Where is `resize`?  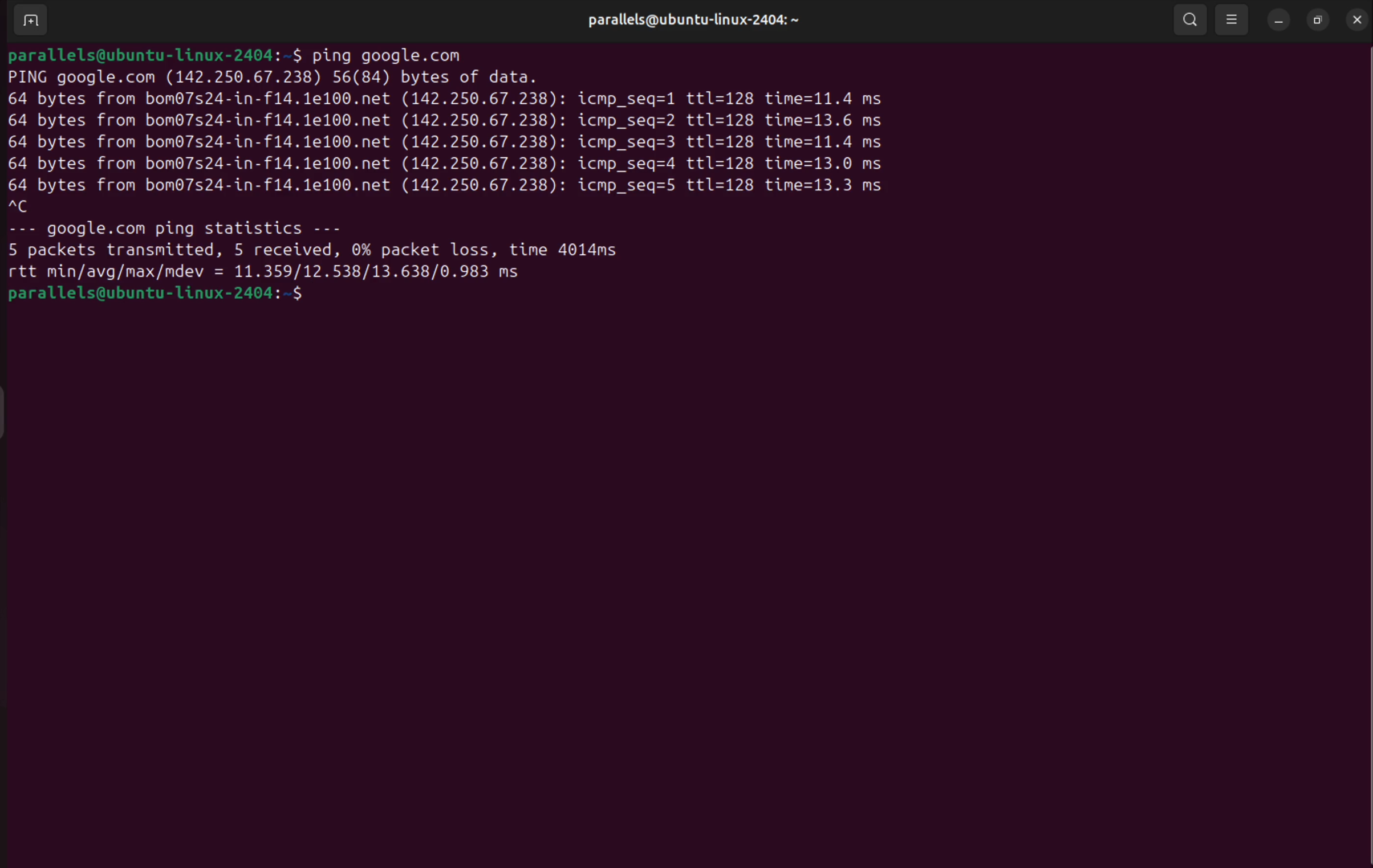 resize is located at coordinates (1315, 20).